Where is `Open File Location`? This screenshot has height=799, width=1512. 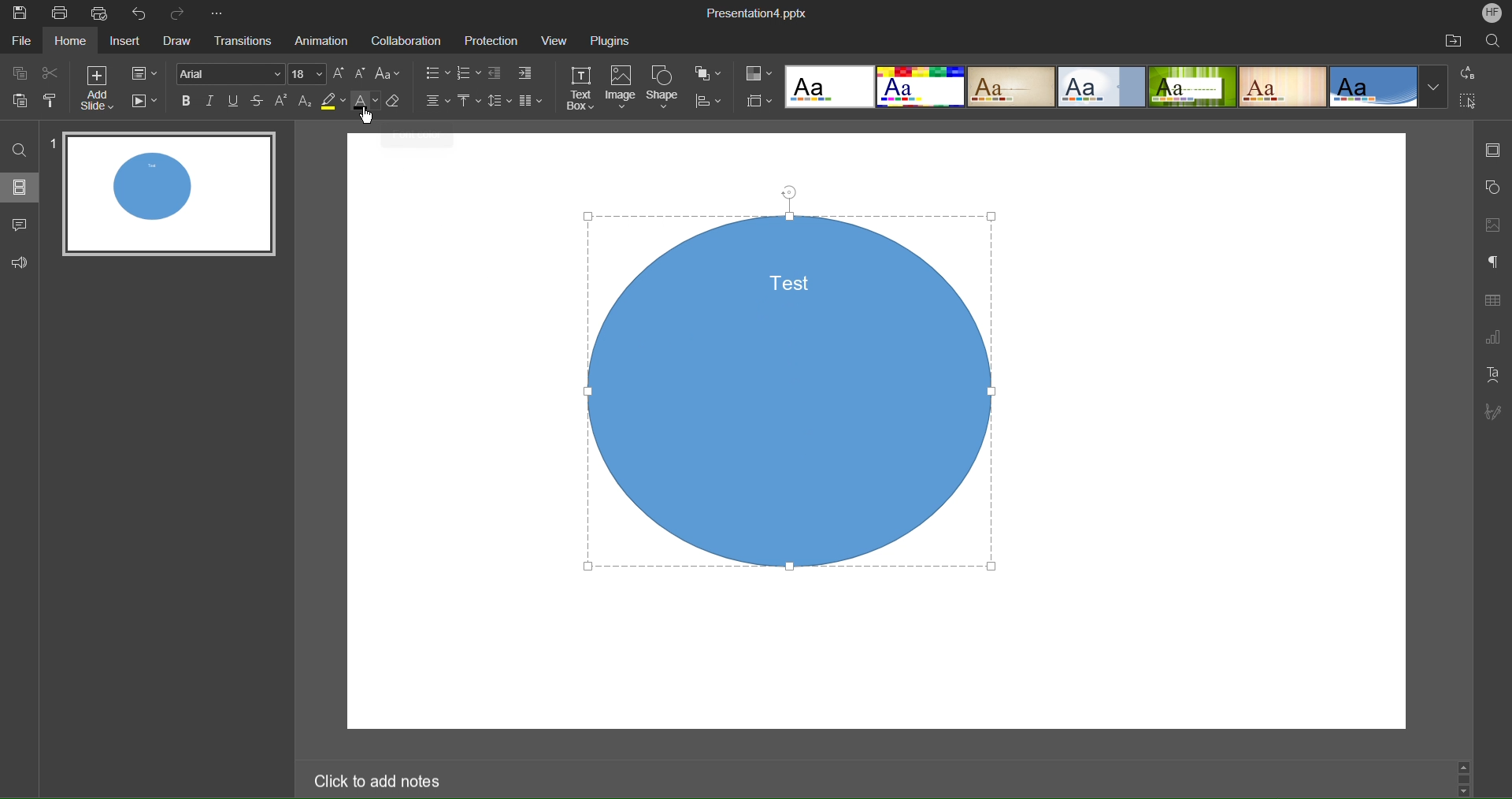 Open File Location is located at coordinates (1450, 42).